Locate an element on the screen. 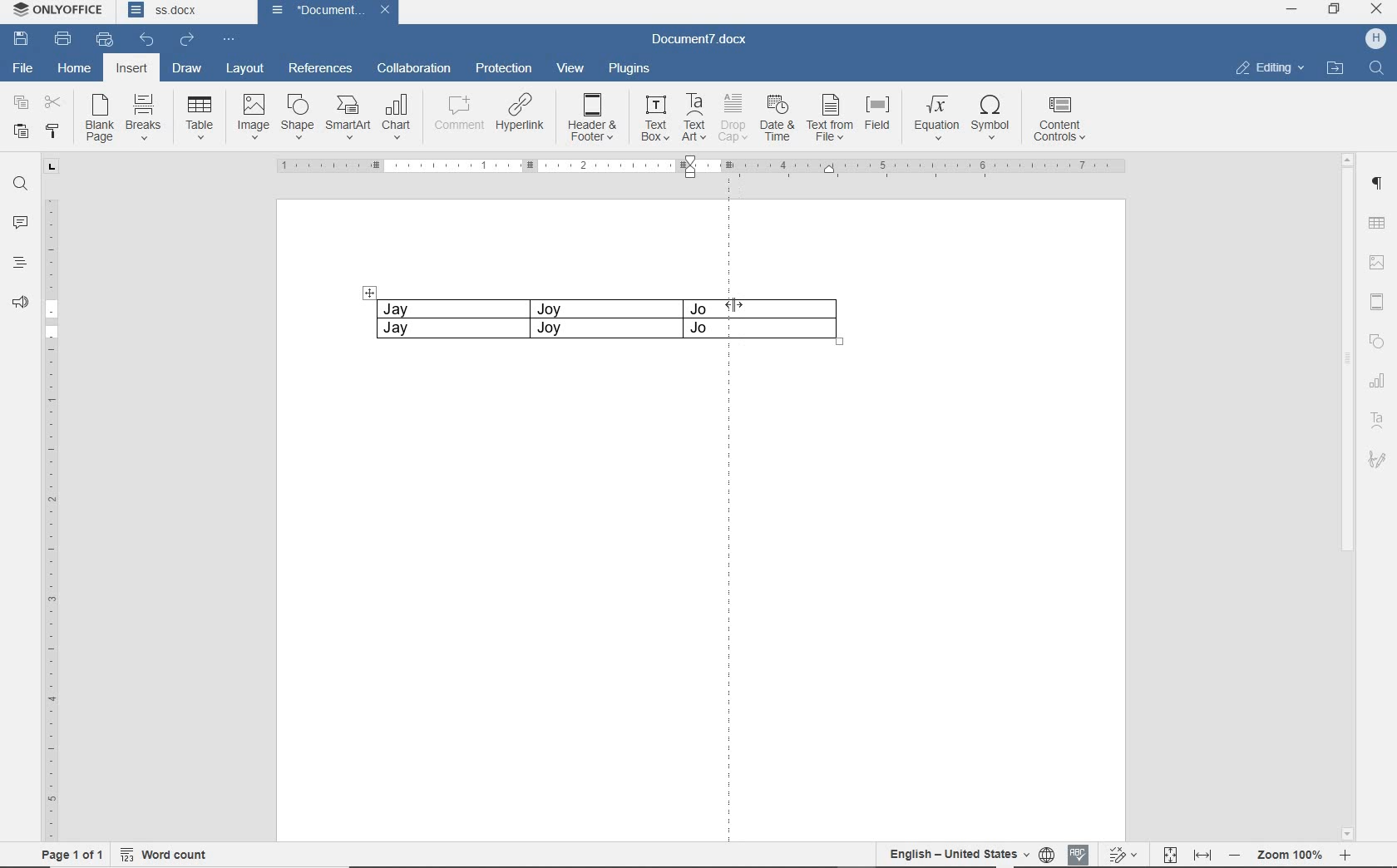  CONTENT CONTROLS is located at coordinates (1062, 120).